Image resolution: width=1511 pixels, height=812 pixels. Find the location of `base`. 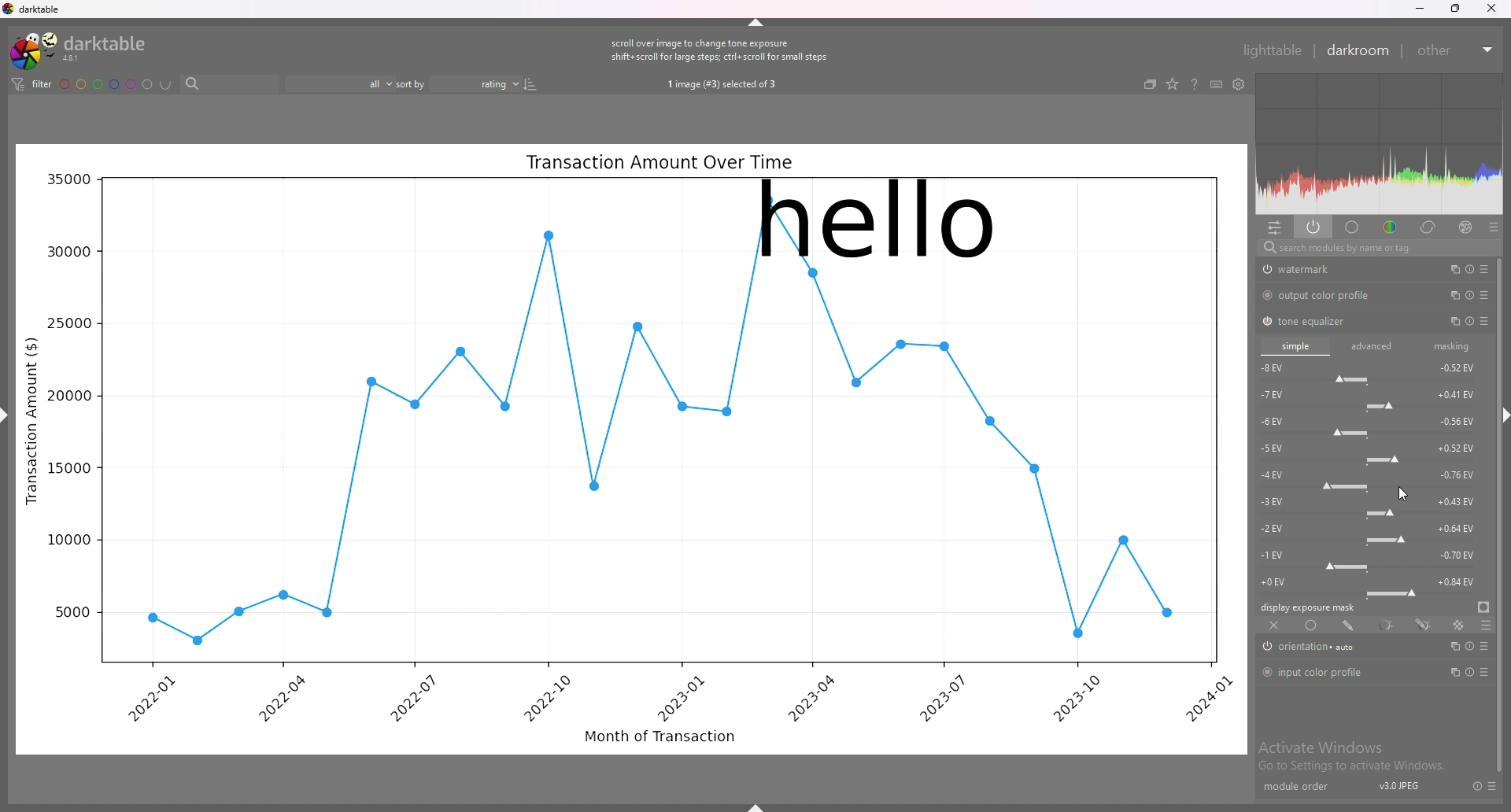

base is located at coordinates (1353, 227).